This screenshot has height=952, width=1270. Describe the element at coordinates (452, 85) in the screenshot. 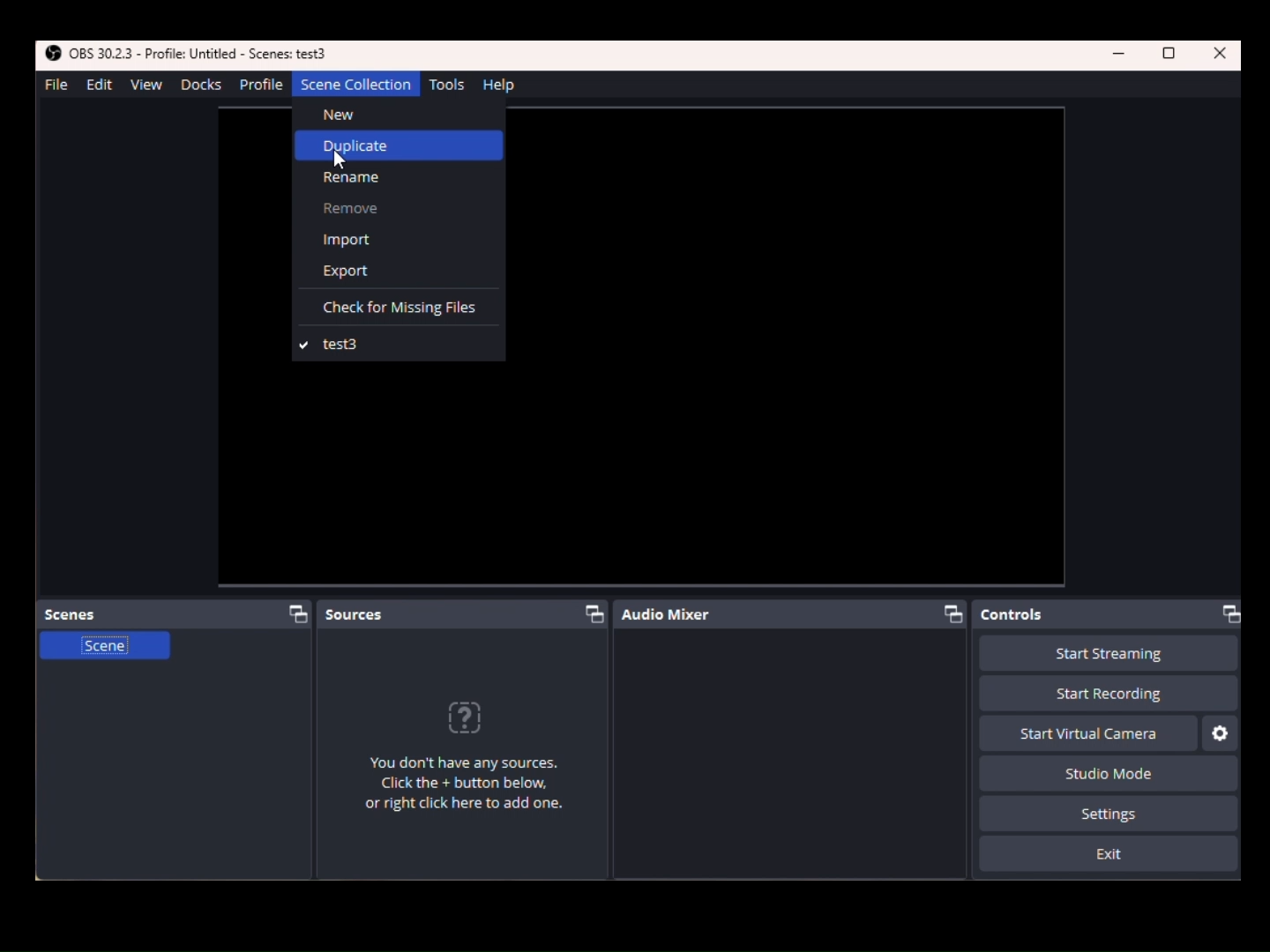

I see `tools` at that location.